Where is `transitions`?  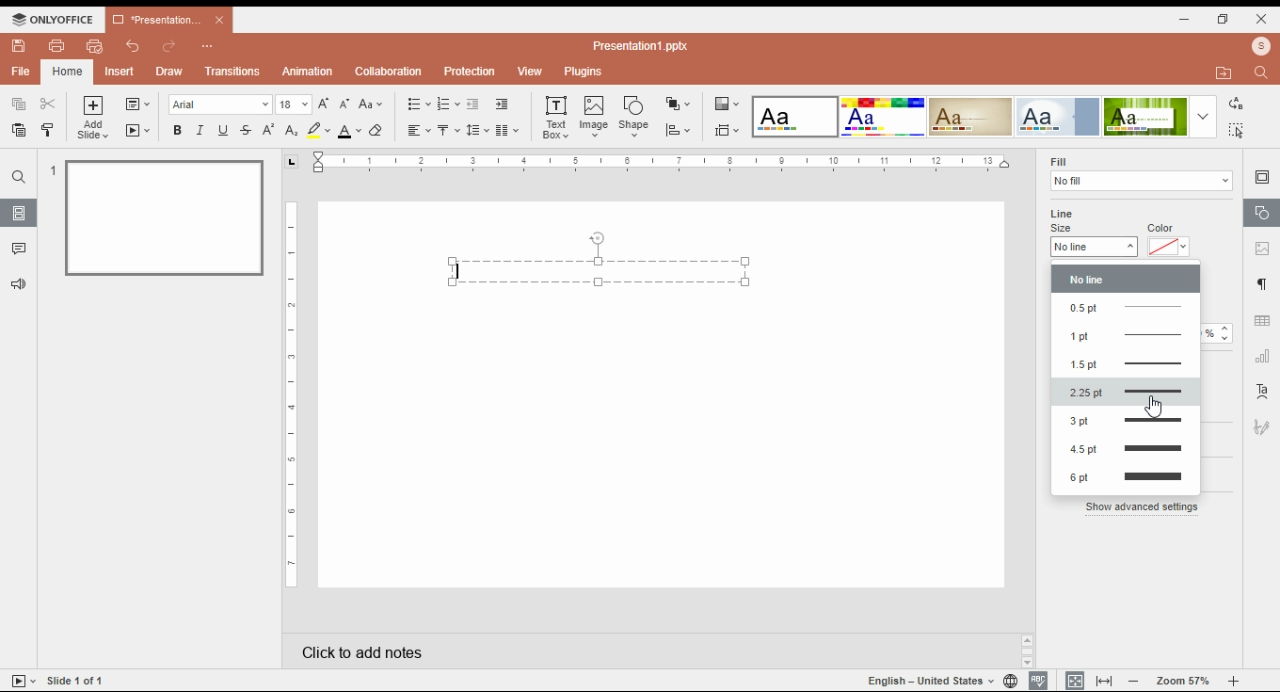
transitions is located at coordinates (233, 73).